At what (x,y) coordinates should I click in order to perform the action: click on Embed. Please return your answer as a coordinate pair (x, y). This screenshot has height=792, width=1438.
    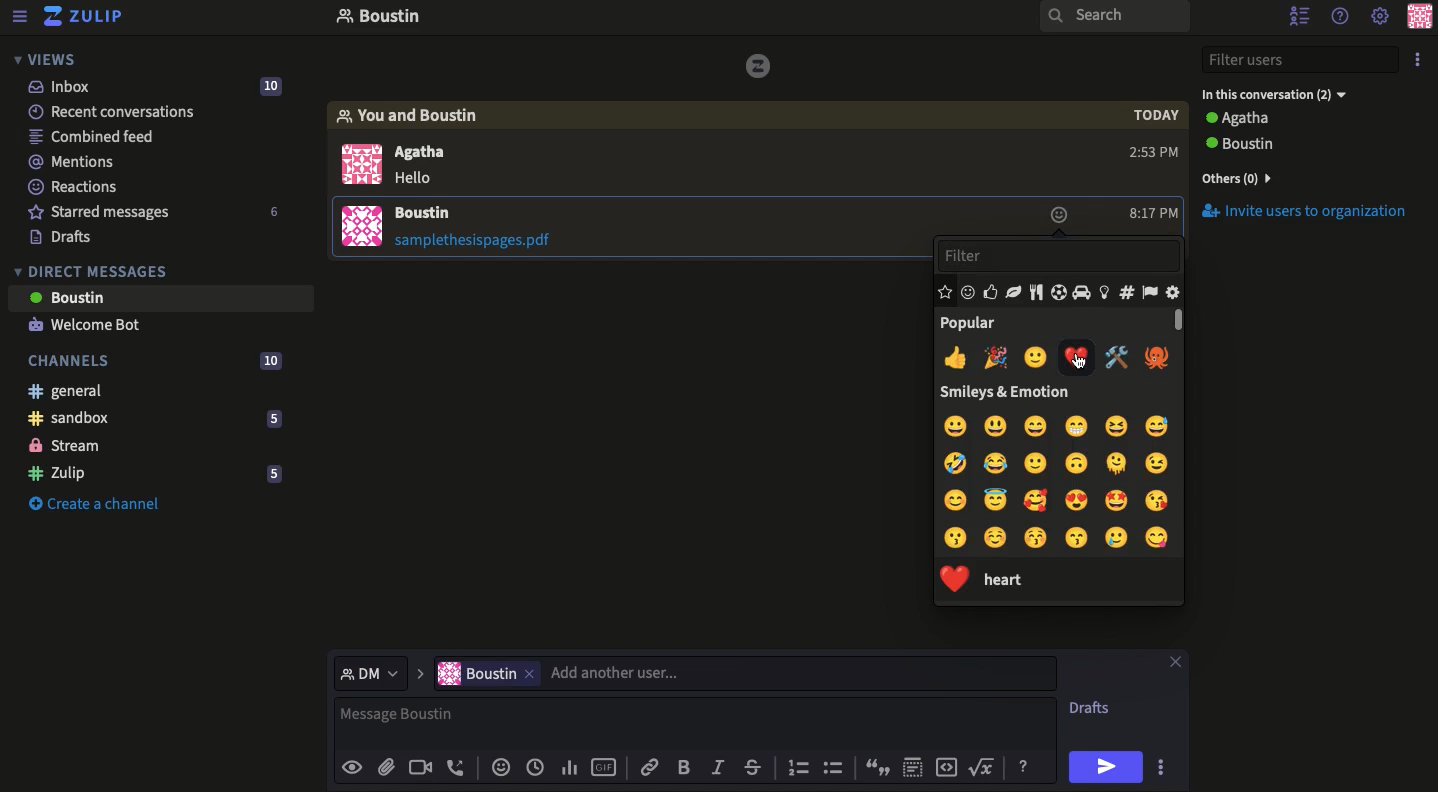
    Looking at the image, I should click on (943, 765).